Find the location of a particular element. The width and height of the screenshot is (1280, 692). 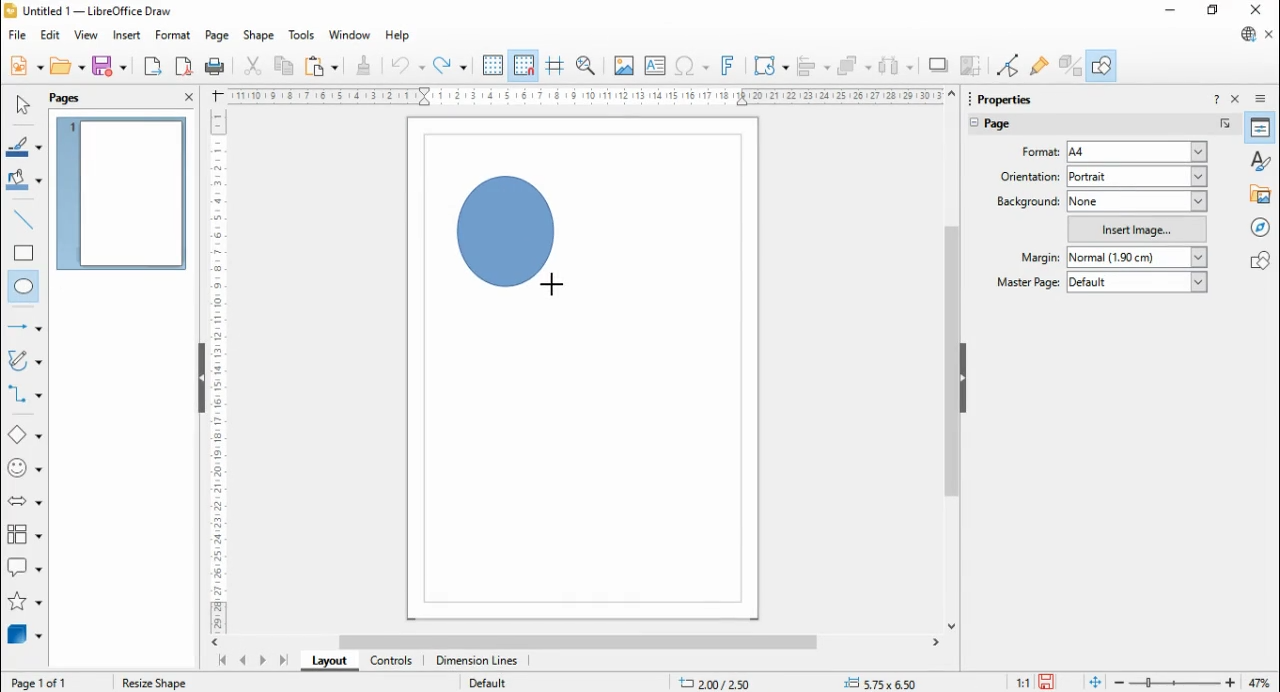

select at least three objects to distribute is located at coordinates (896, 67).